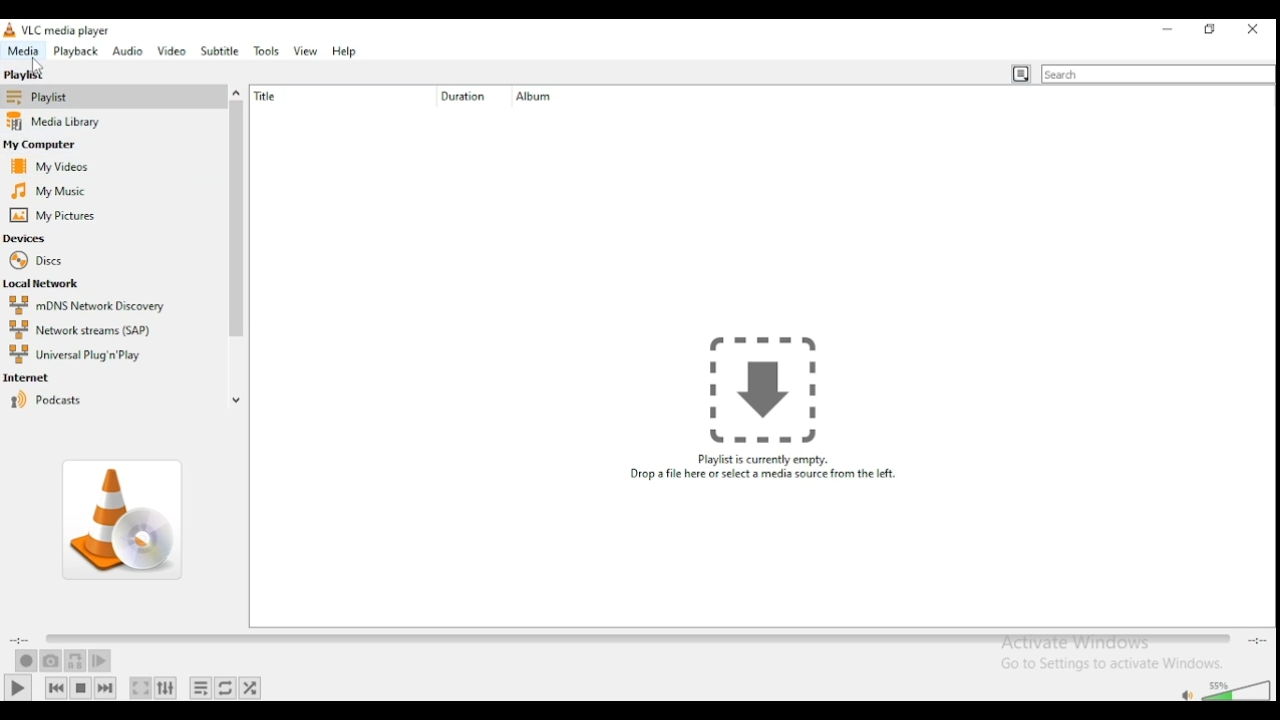 Image resolution: width=1280 pixels, height=720 pixels. I want to click on discs, so click(37, 260).